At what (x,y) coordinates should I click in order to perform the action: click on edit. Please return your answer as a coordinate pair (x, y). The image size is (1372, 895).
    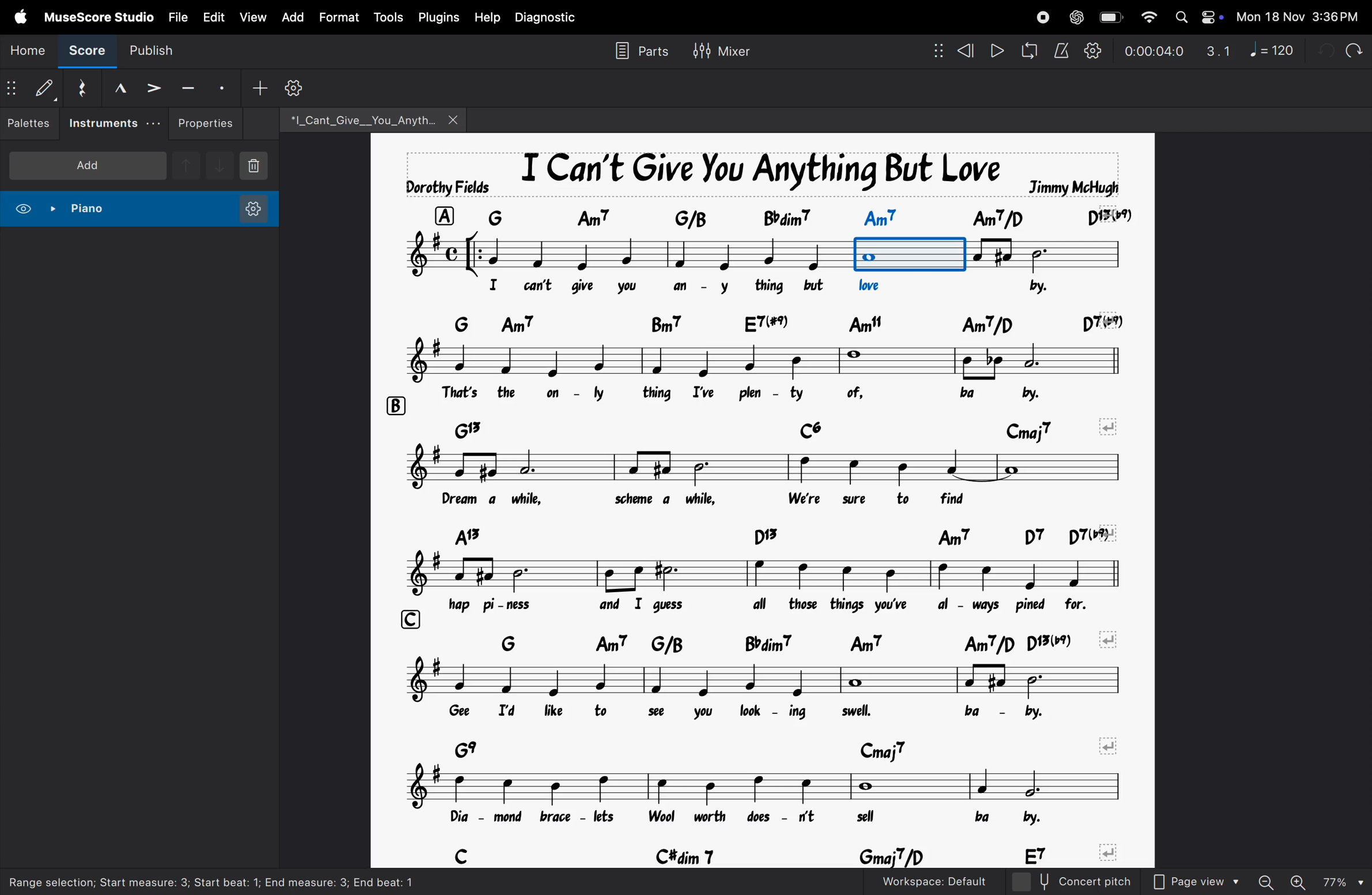
    Looking at the image, I should click on (212, 14).